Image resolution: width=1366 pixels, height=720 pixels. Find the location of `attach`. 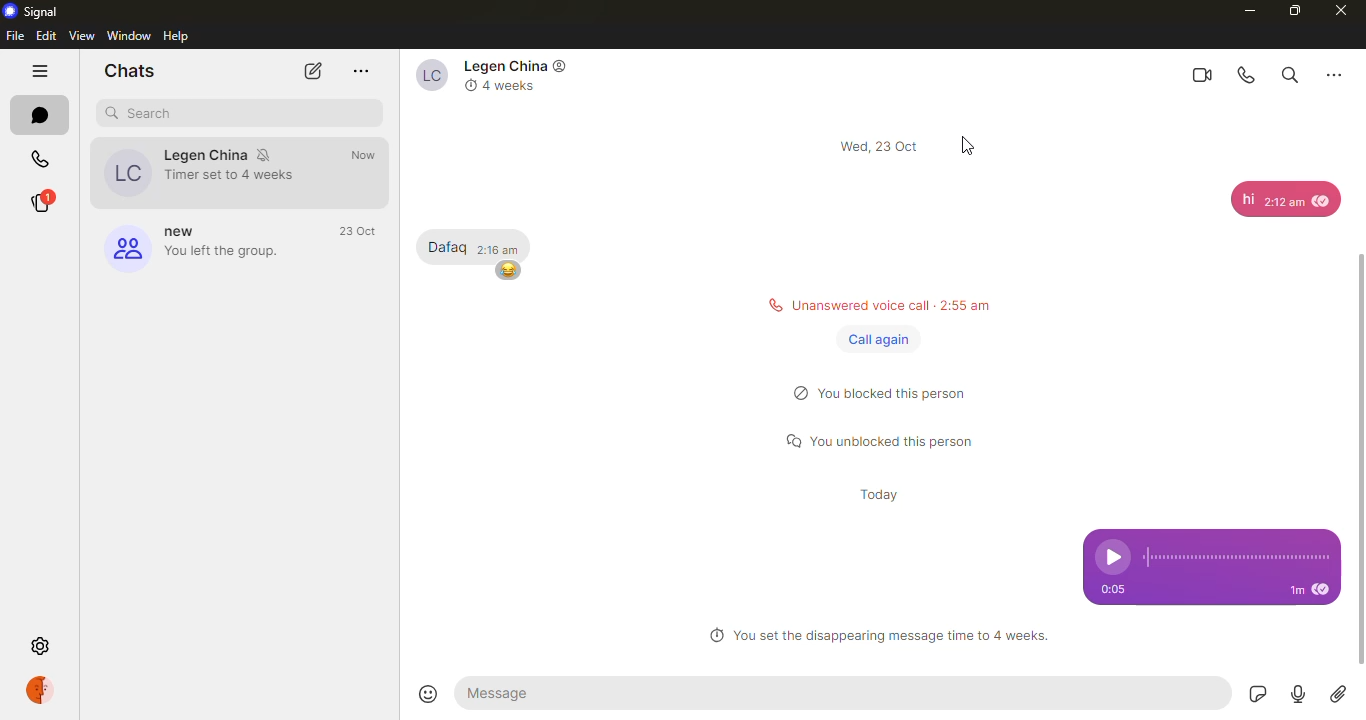

attach is located at coordinates (1339, 695).